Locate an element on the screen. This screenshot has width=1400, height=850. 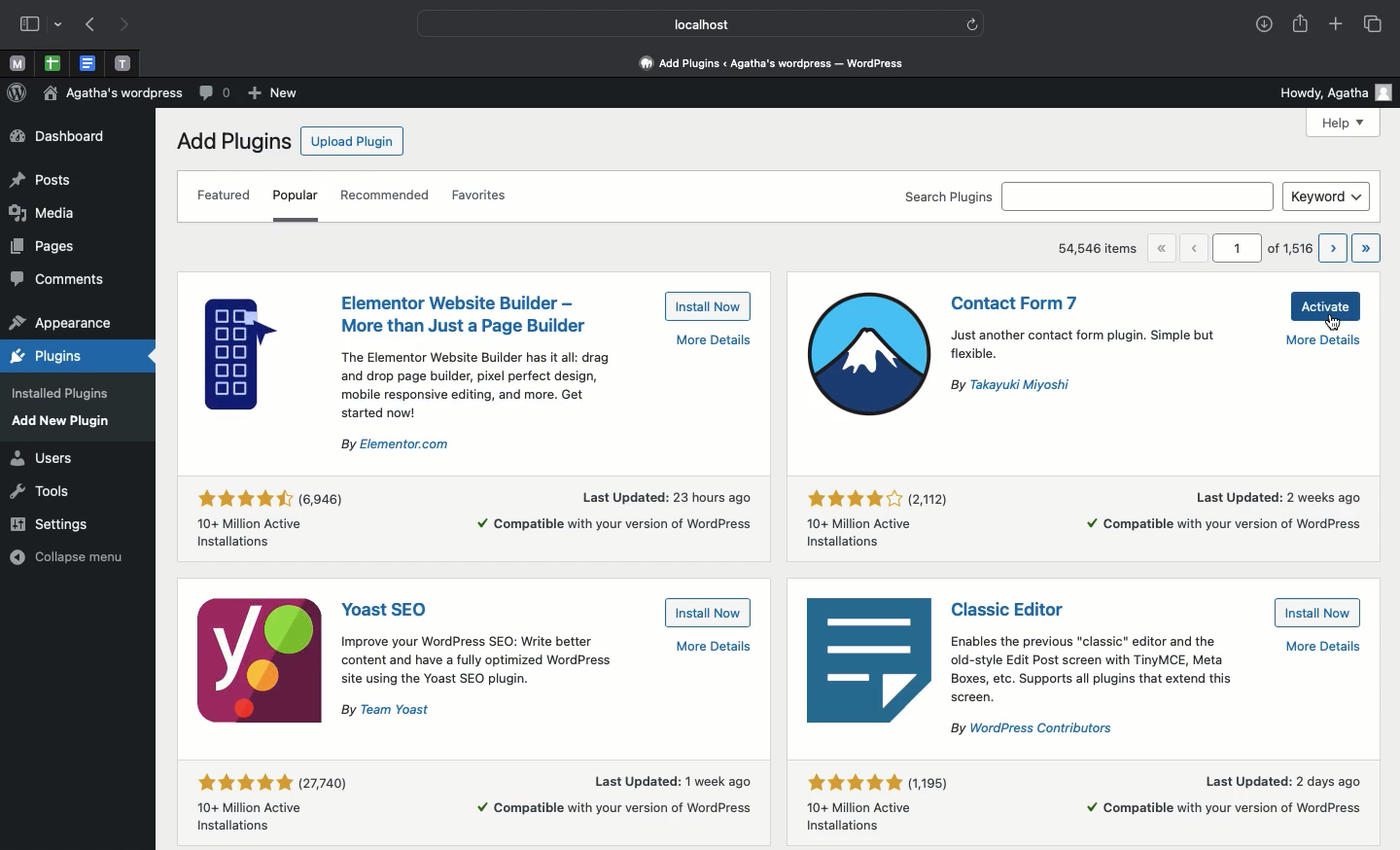
of 1,516 is located at coordinates (1289, 250).